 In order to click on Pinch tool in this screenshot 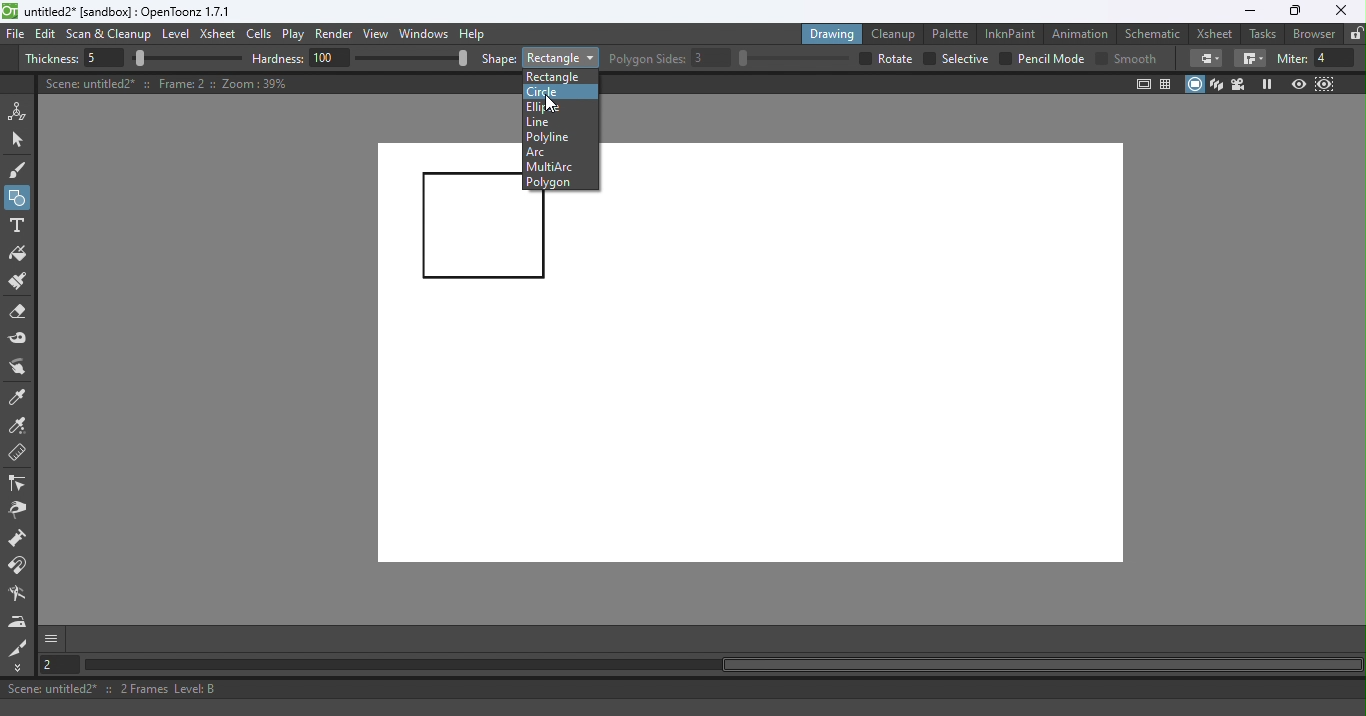, I will do `click(17, 513)`.